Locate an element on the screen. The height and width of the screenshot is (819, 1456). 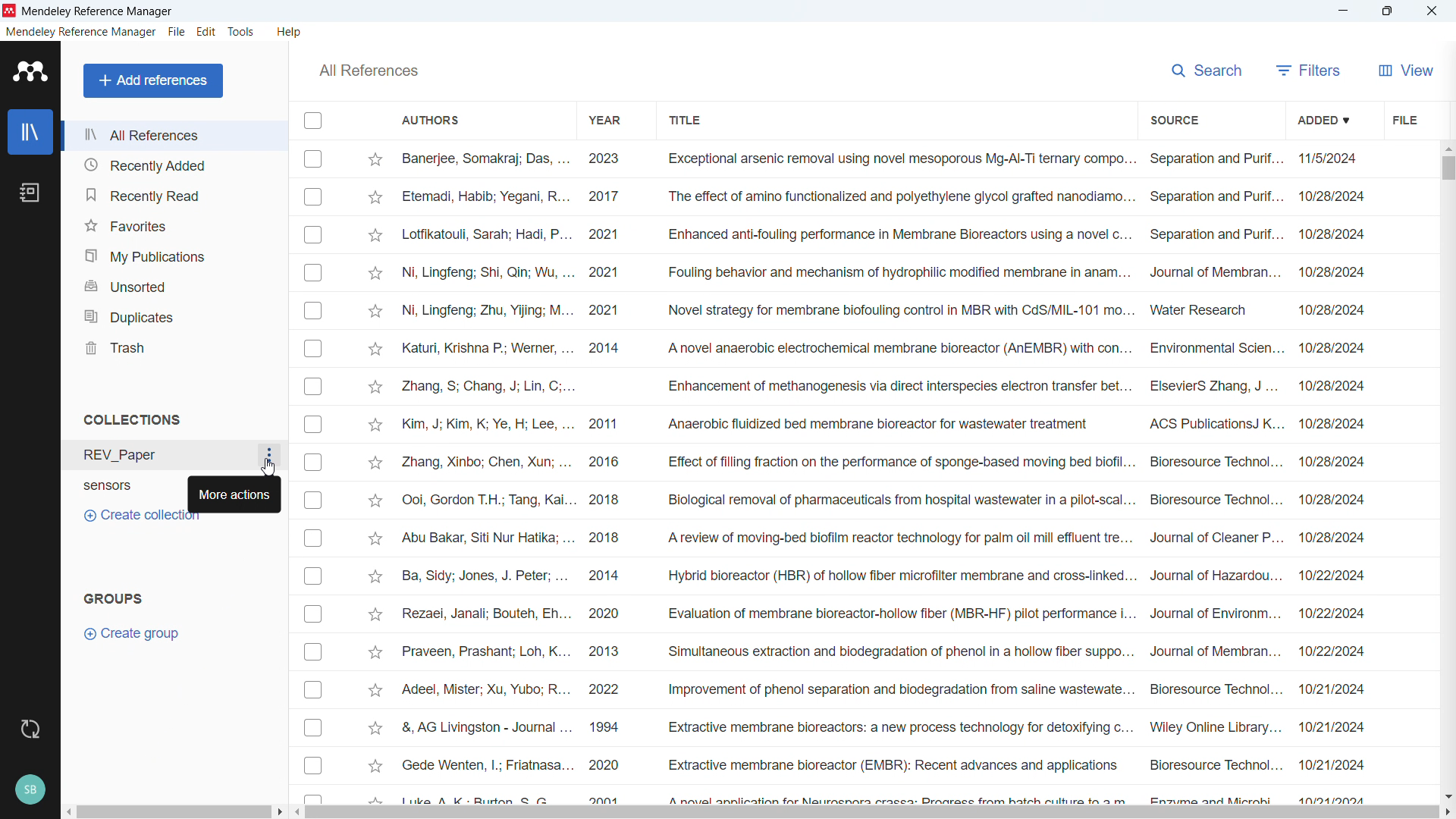
Cursor  is located at coordinates (268, 467).